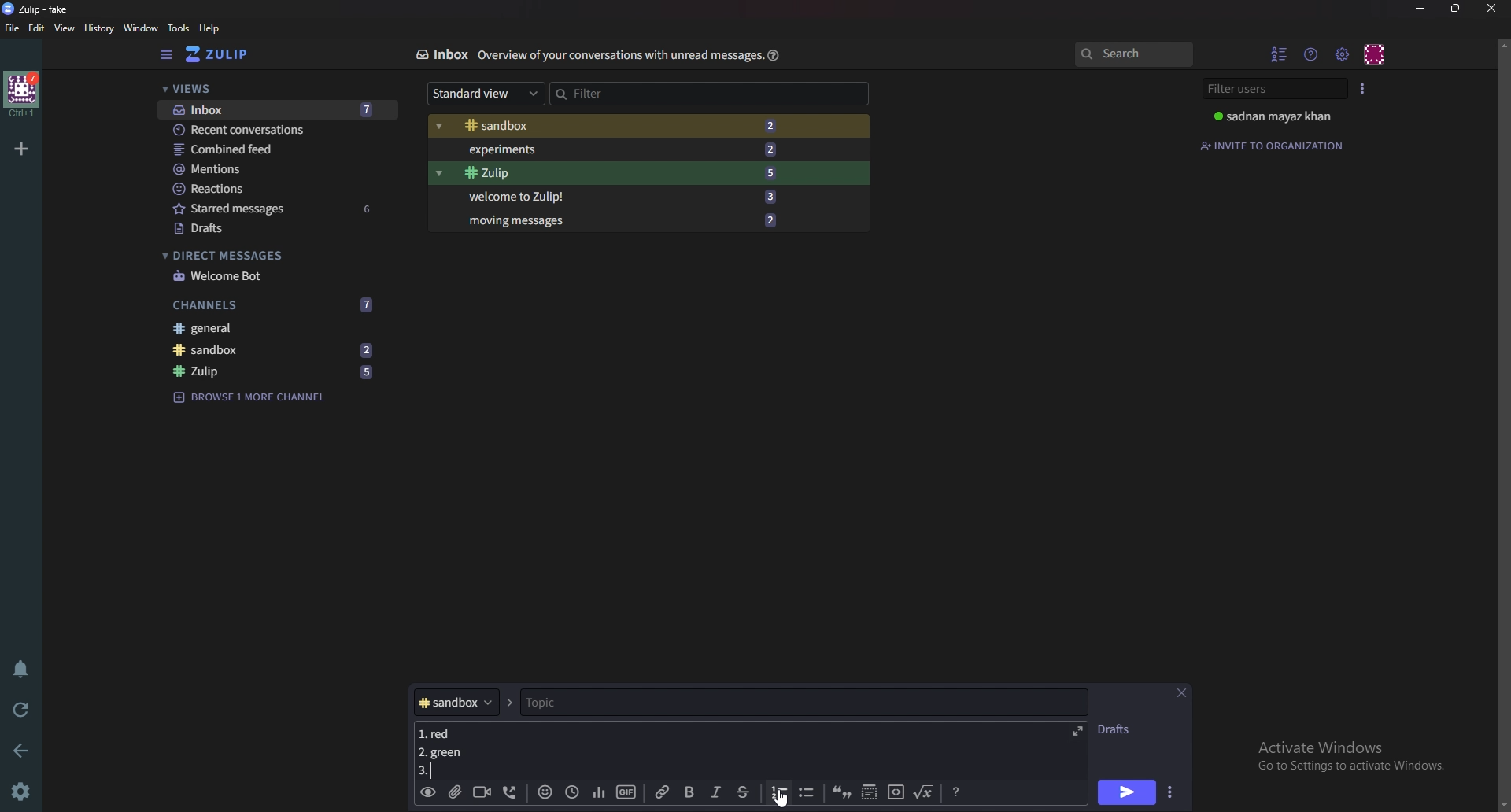  What do you see at coordinates (618, 197) in the screenshot?
I see `Welcome to Zulip` at bounding box center [618, 197].